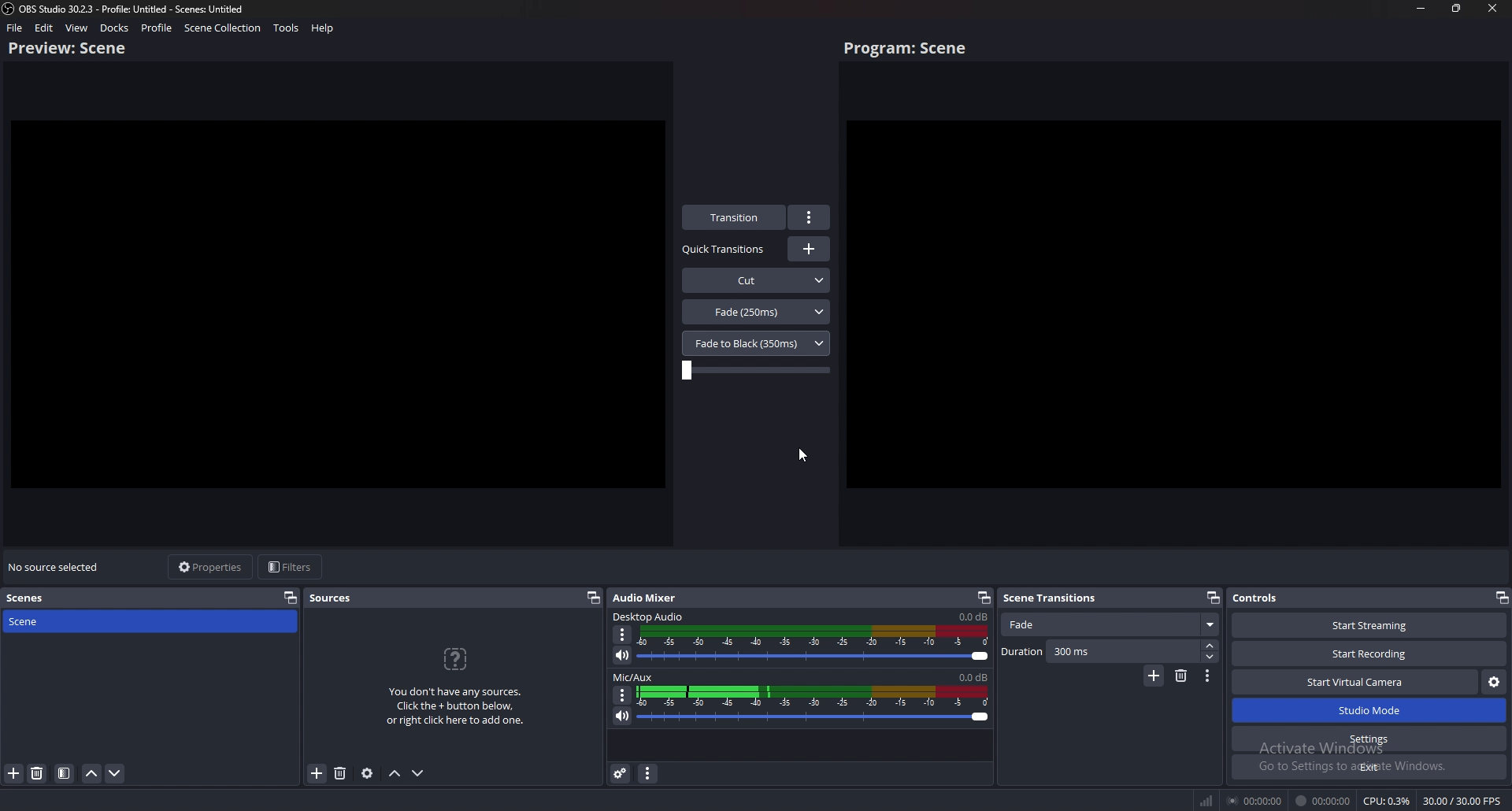 Image resolution: width=1512 pixels, height=811 pixels. I want to click on  00:00:00, so click(1324, 801).